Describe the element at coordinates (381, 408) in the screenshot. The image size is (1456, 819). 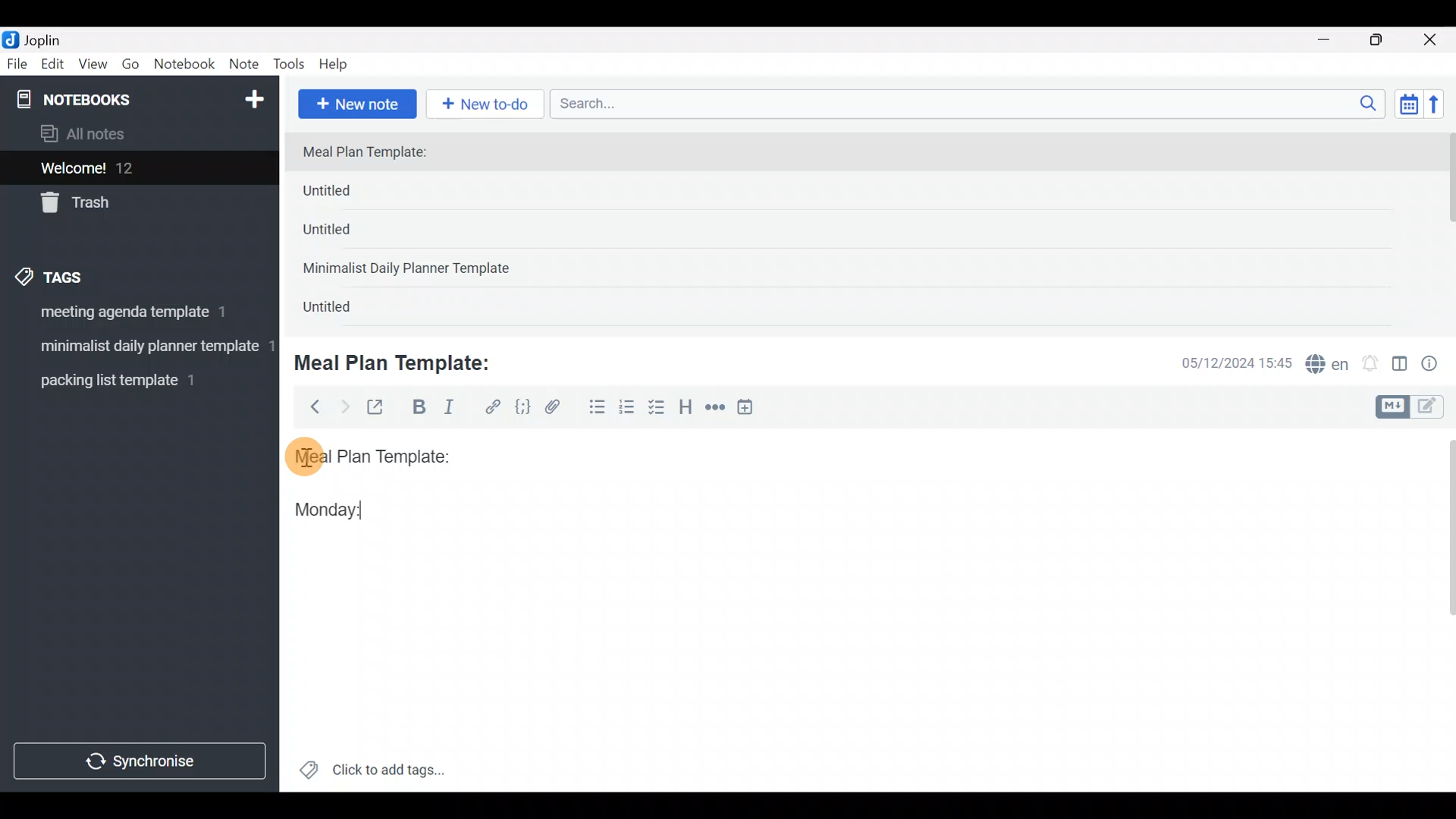
I see `Toggle external editing` at that location.